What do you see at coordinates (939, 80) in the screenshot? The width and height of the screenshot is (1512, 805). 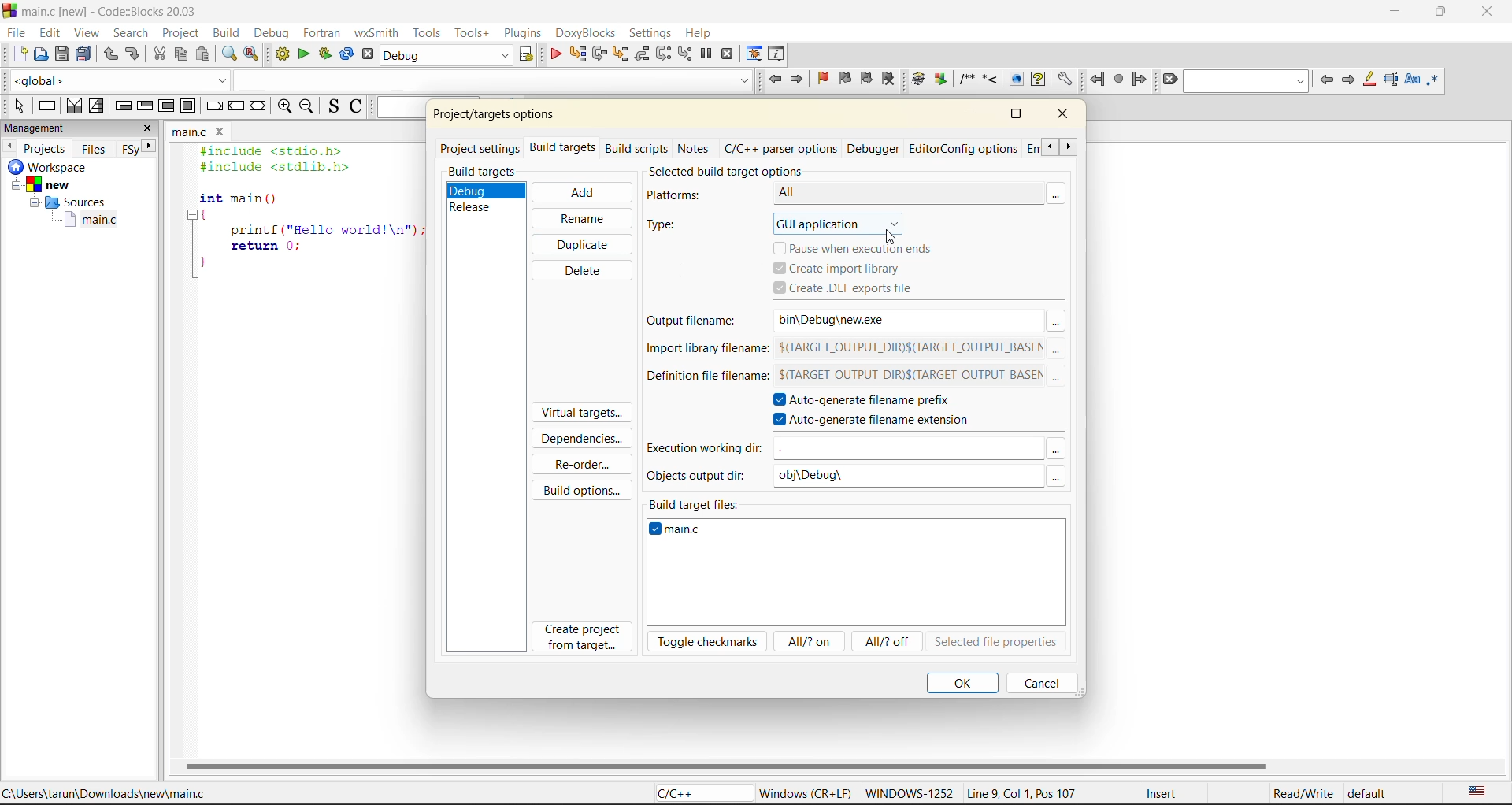 I see `Extract documentation for the current project` at bounding box center [939, 80].